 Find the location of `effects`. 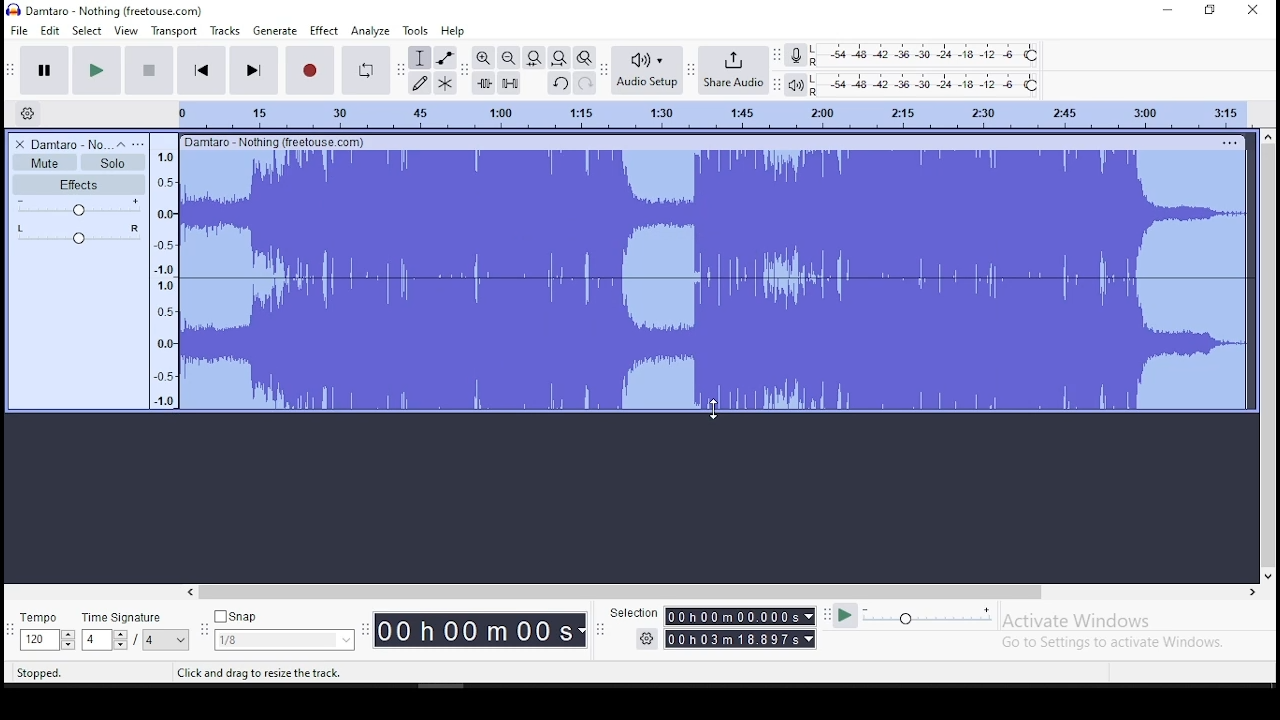

effects is located at coordinates (324, 31).